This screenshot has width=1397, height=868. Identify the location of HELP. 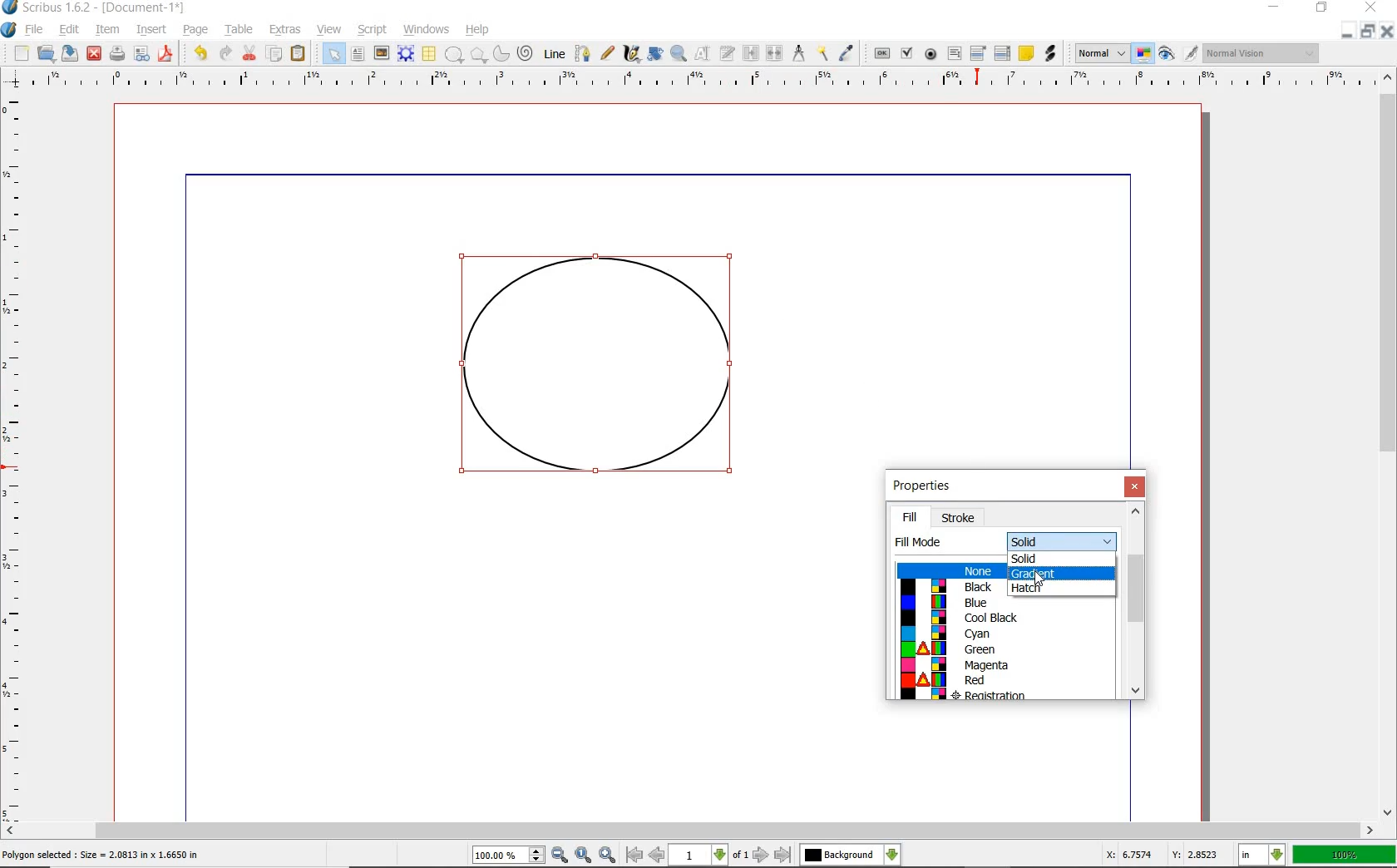
(481, 28).